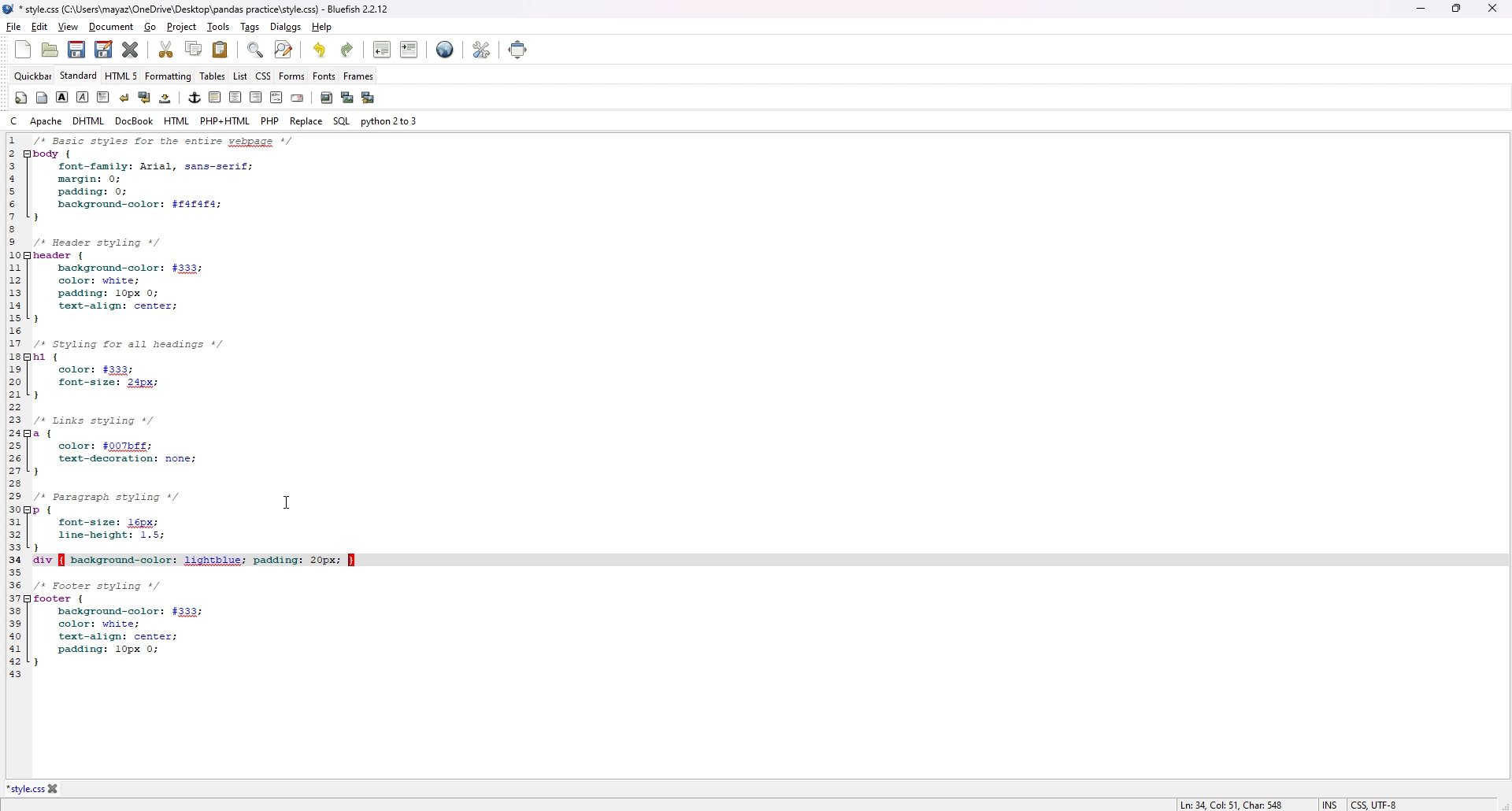  What do you see at coordinates (235, 98) in the screenshot?
I see `center` at bounding box center [235, 98].